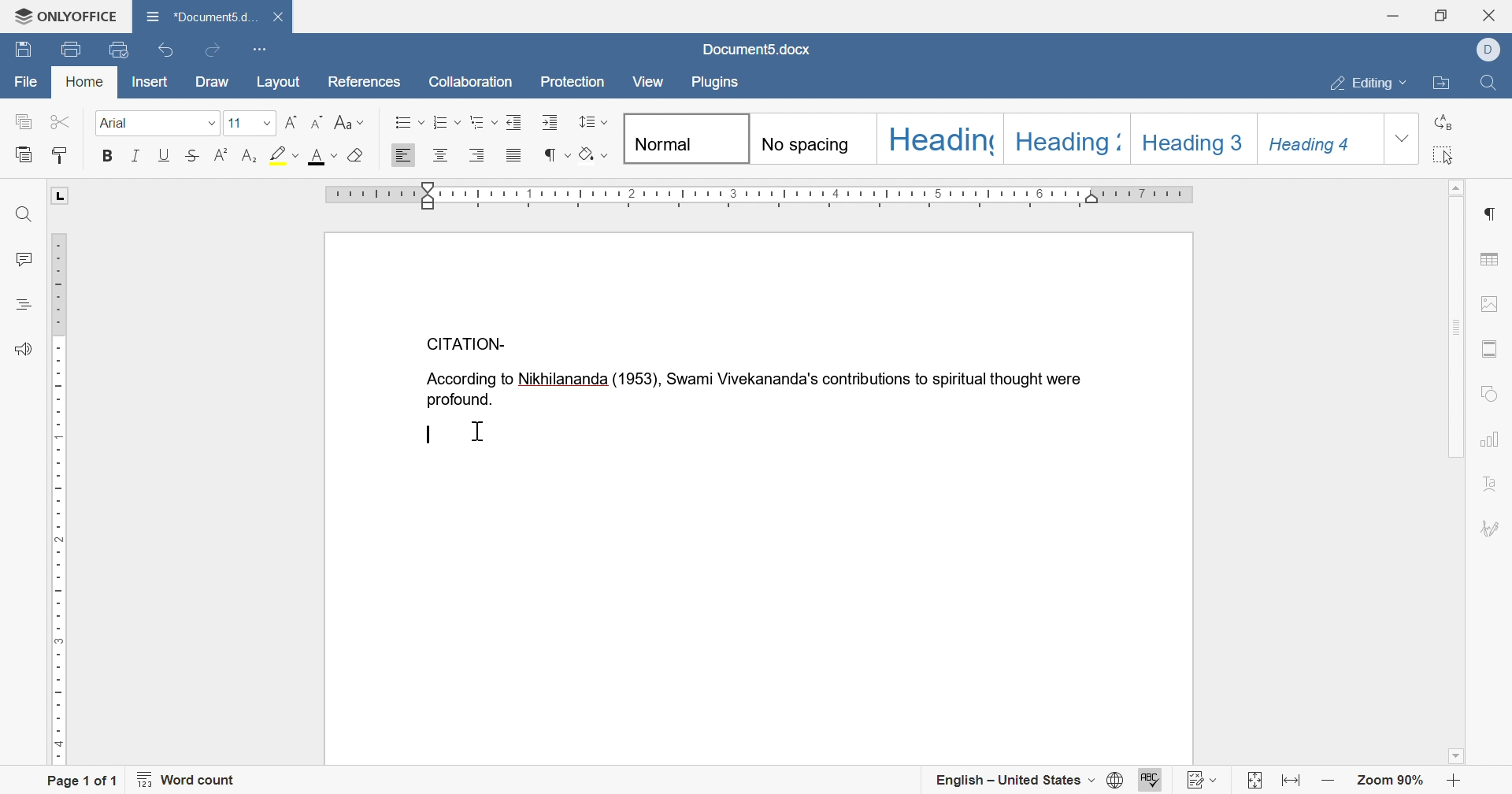  I want to click on decrease indent, so click(517, 124).